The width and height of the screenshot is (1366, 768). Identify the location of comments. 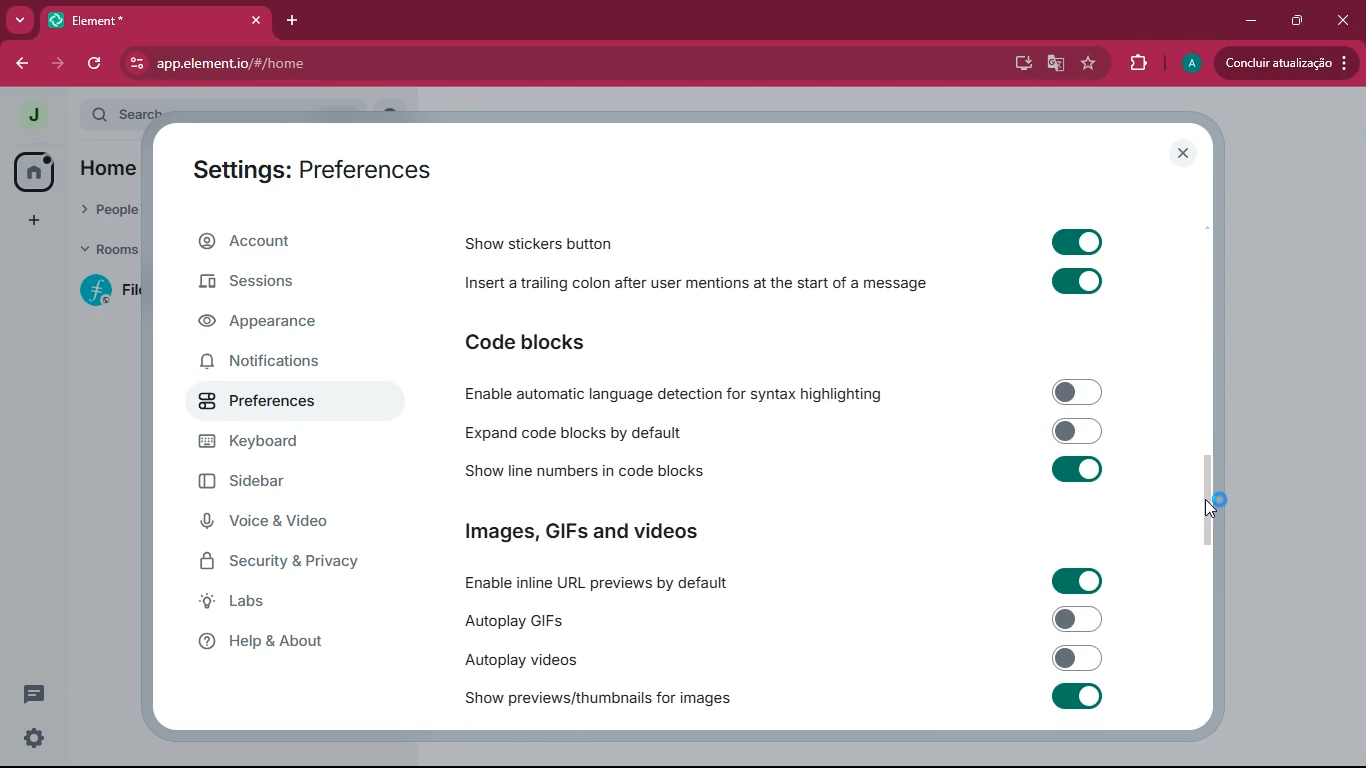
(37, 692).